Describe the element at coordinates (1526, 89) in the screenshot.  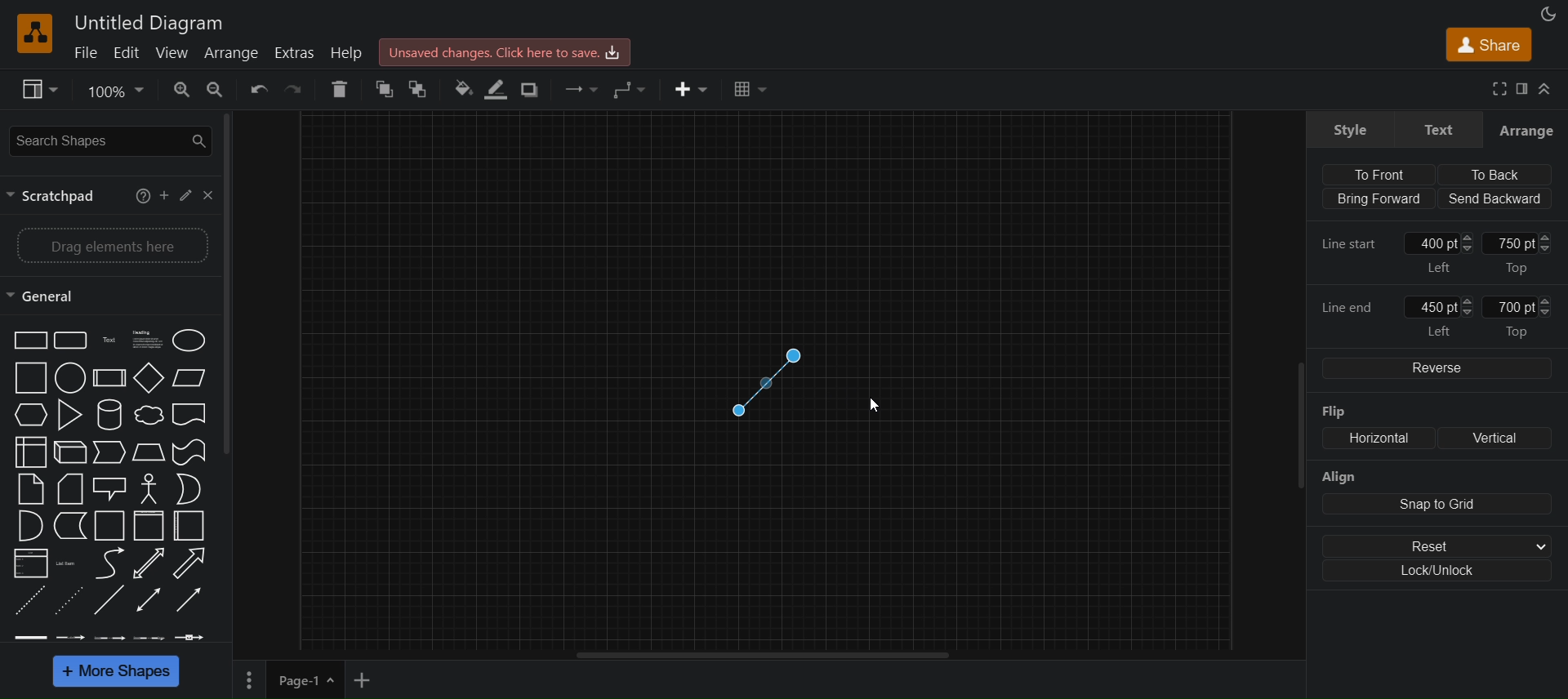
I see `format` at that location.